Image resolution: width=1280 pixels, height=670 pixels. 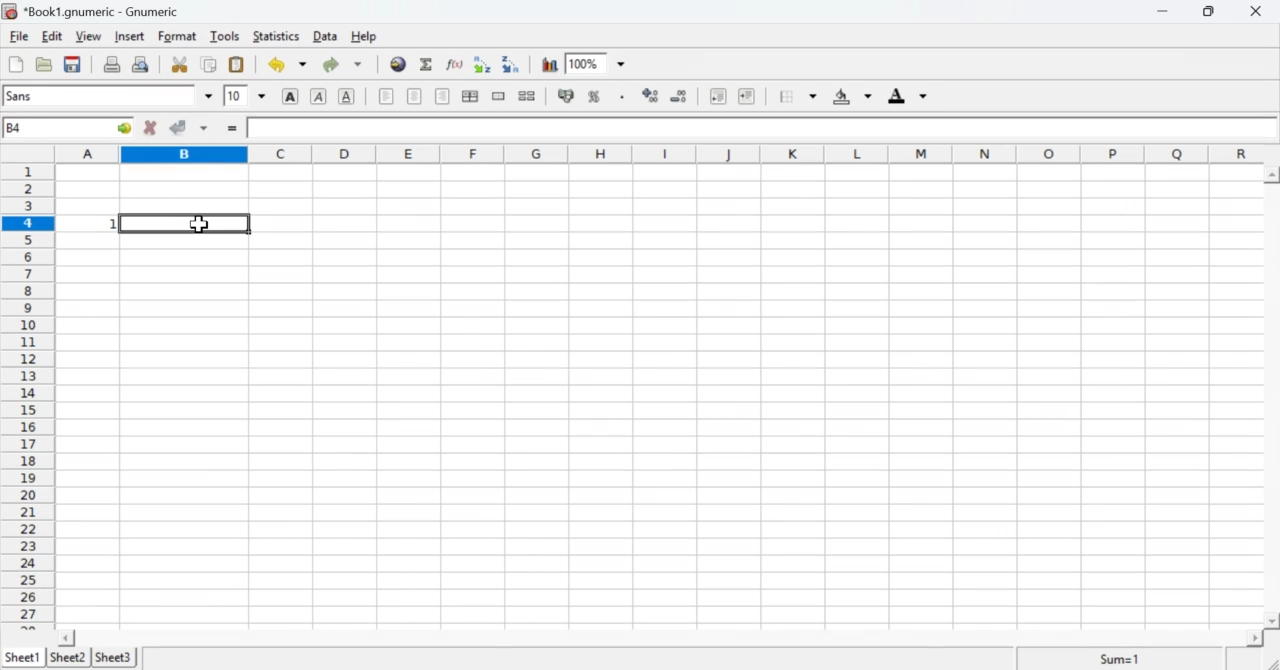 I want to click on Background, so click(x=853, y=97).